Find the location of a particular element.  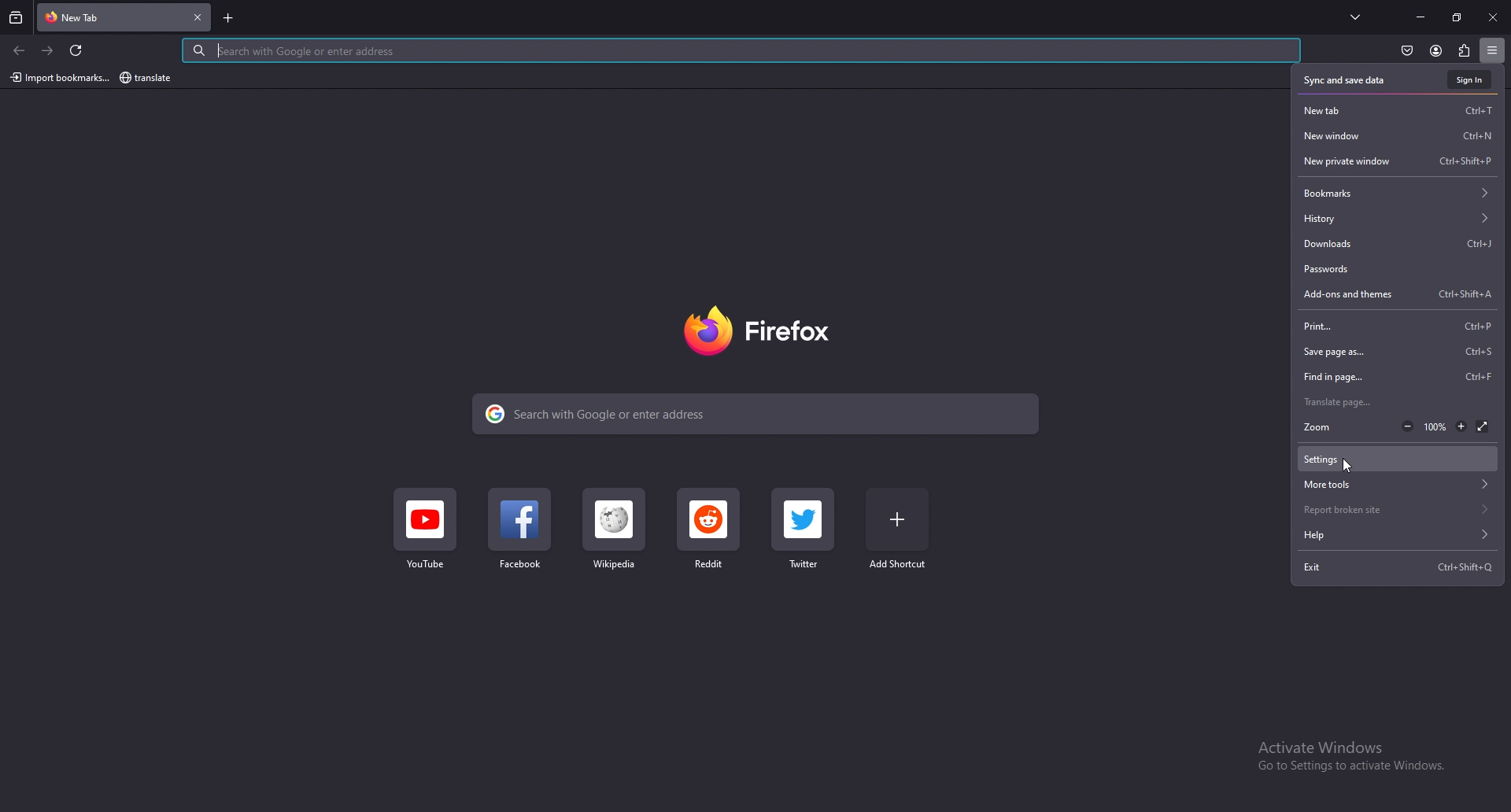

refresh is located at coordinates (79, 50).